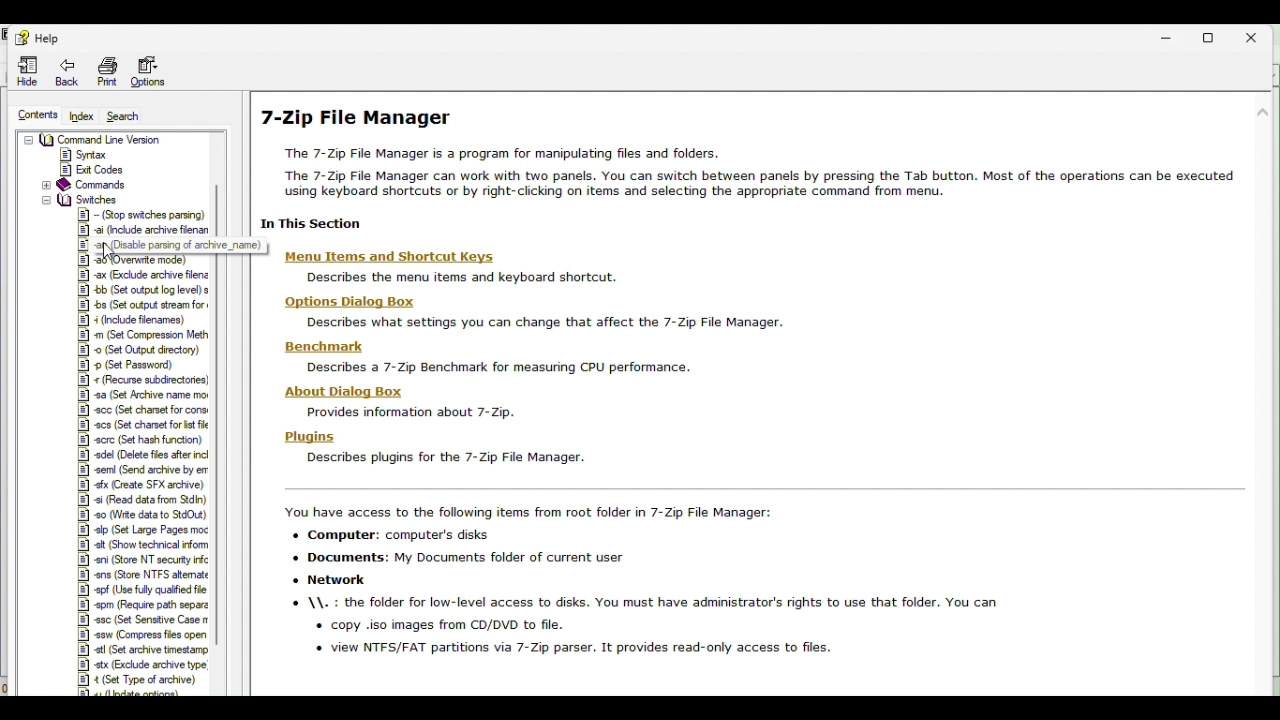 Image resolution: width=1280 pixels, height=720 pixels. What do you see at coordinates (143, 514) in the screenshot?
I see `8] 90 (Wite data to StdOut)` at bounding box center [143, 514].